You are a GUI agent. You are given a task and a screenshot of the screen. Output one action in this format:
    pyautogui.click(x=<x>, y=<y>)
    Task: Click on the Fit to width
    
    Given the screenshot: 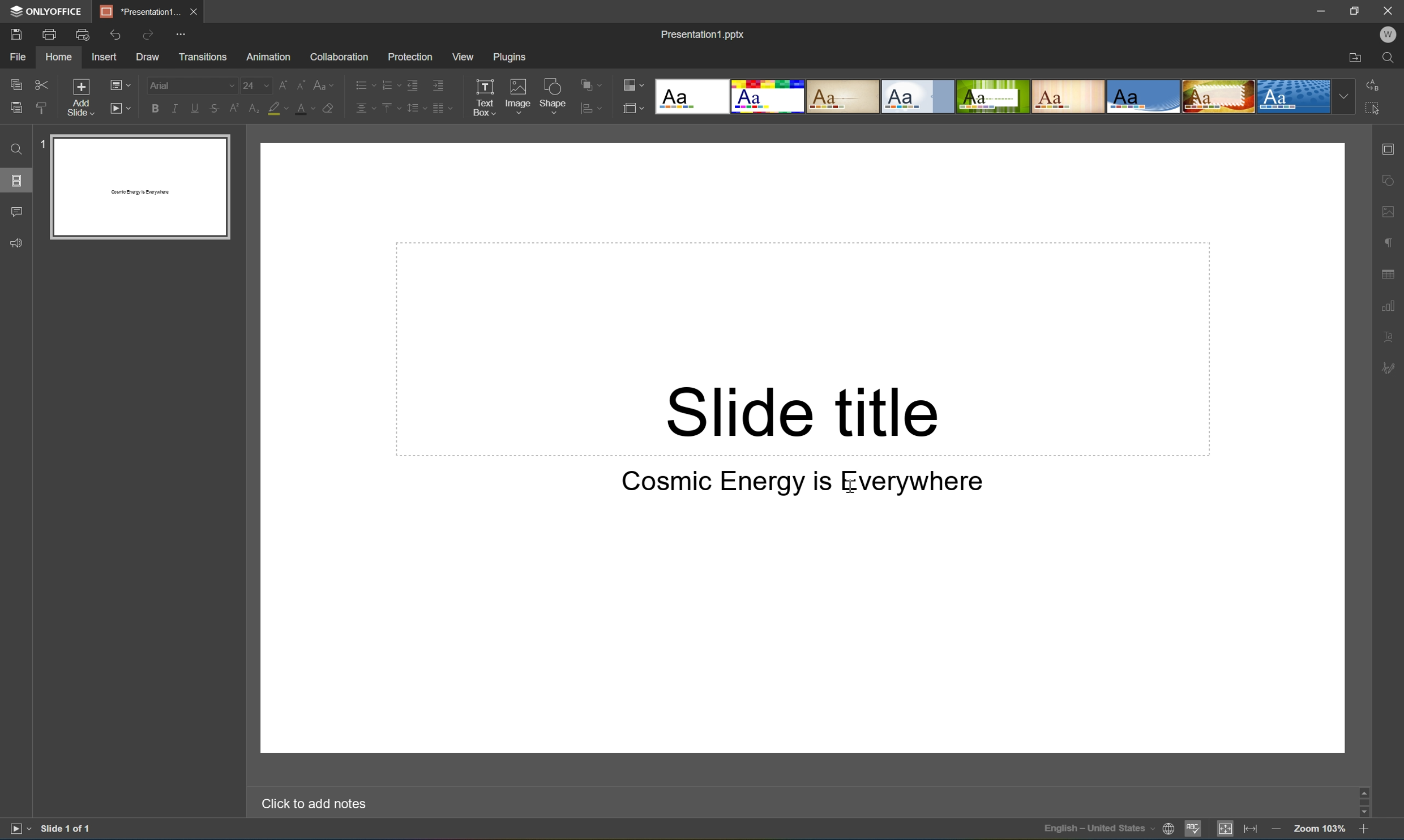 What is the action you would take?
    pyautogui.click(x=1251, y=832)
    